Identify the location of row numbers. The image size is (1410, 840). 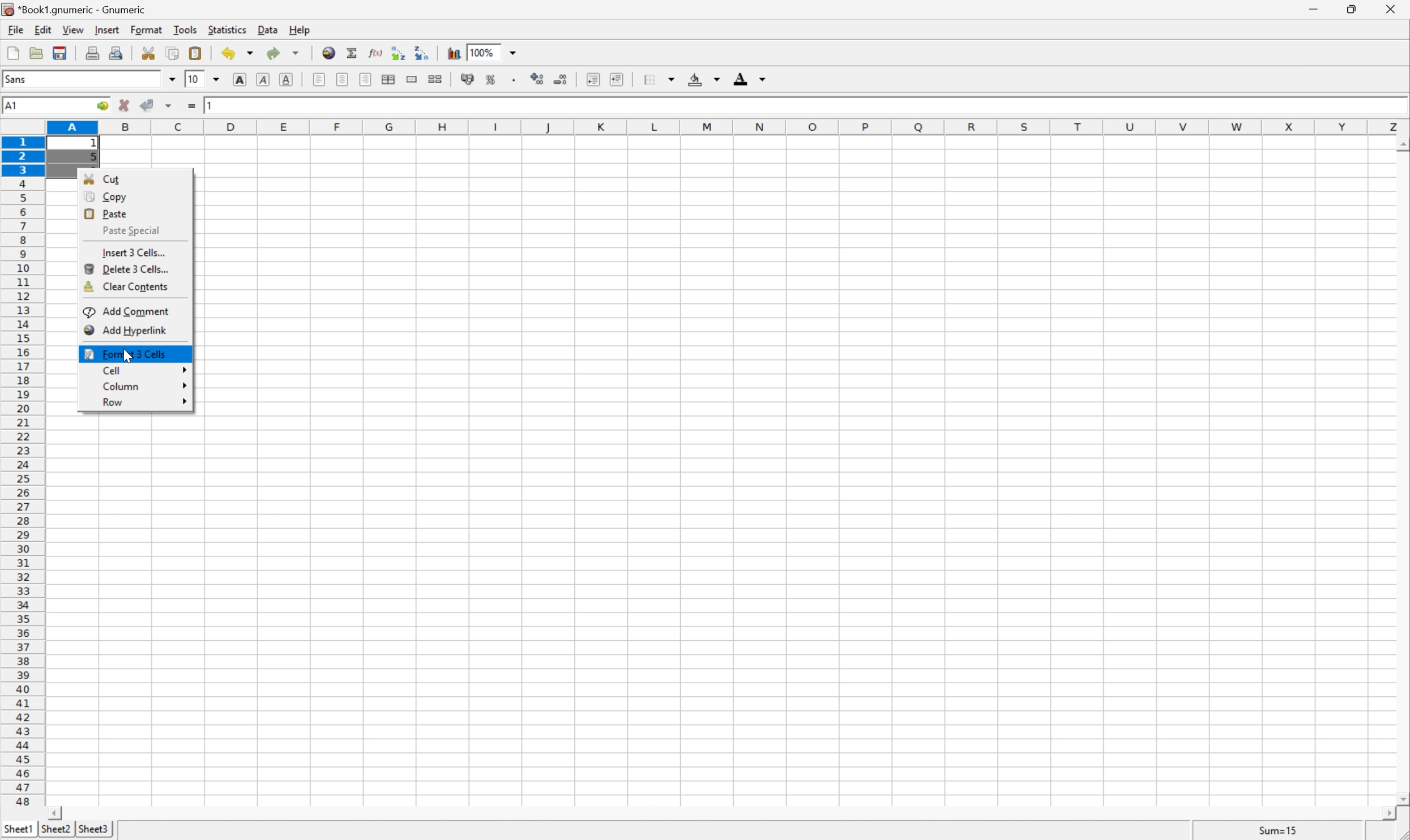
(22, 472).